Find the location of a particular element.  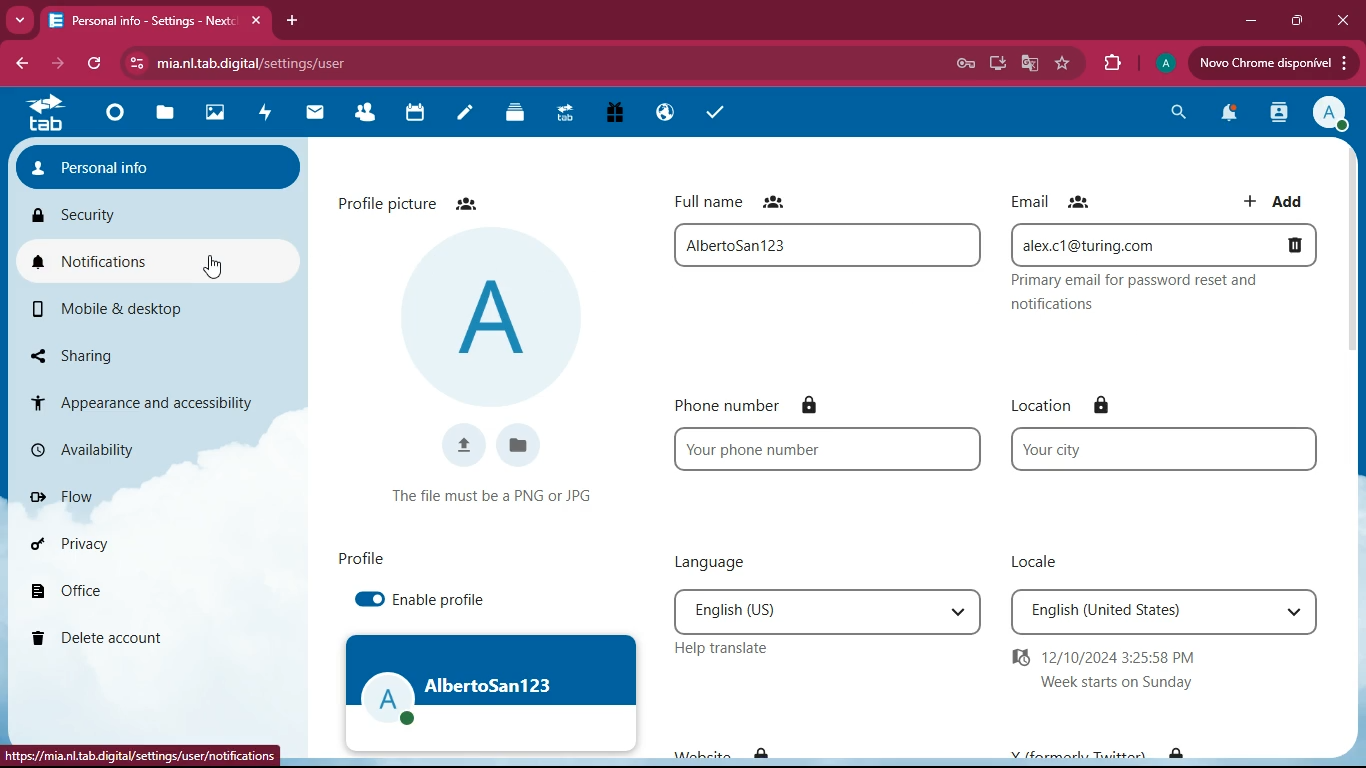

language is located at coordinates (715, 561).